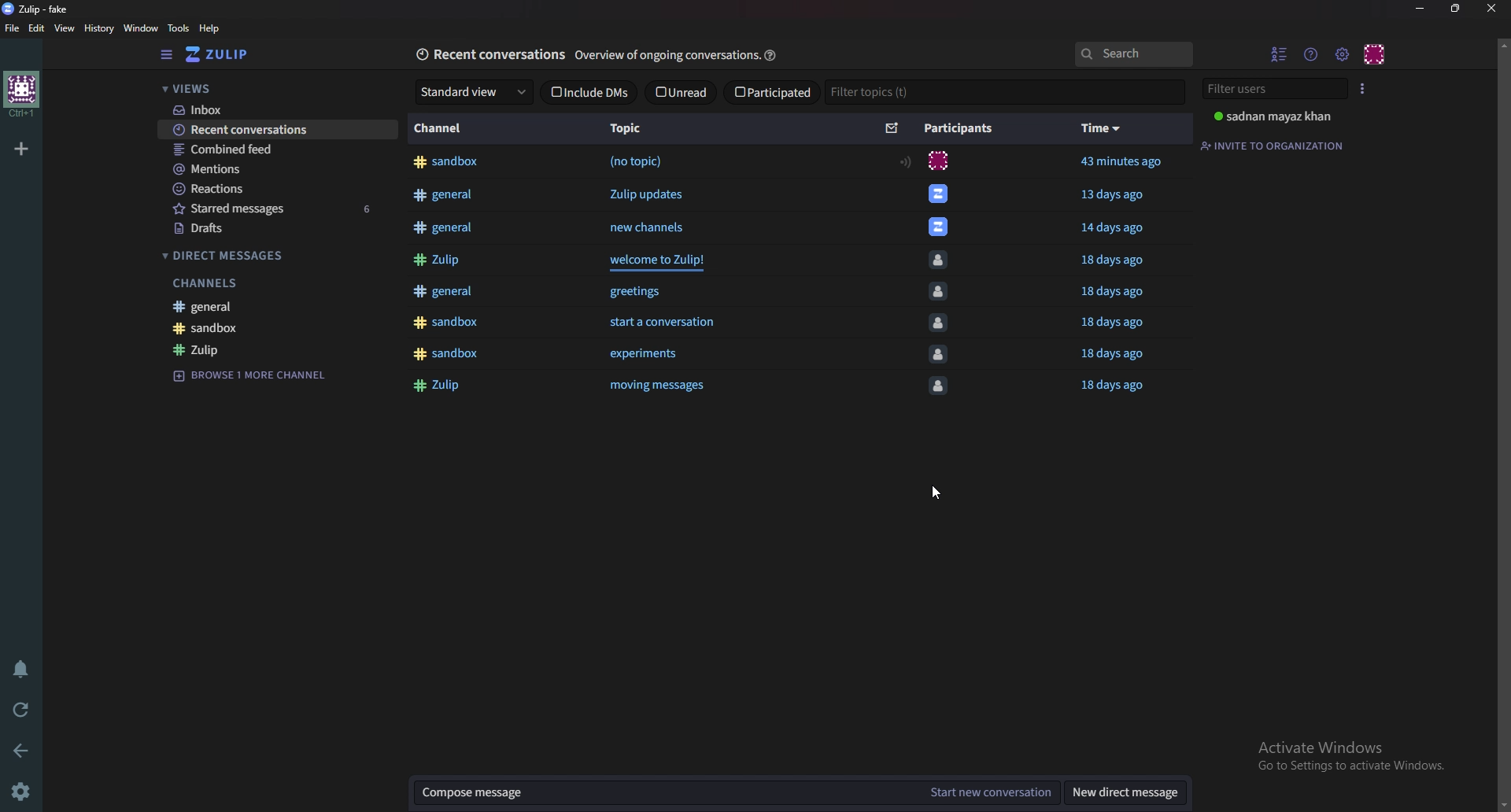  Describe the element at coordinates (639, 161) in the screenshot. I see `(no topic)` at that location.